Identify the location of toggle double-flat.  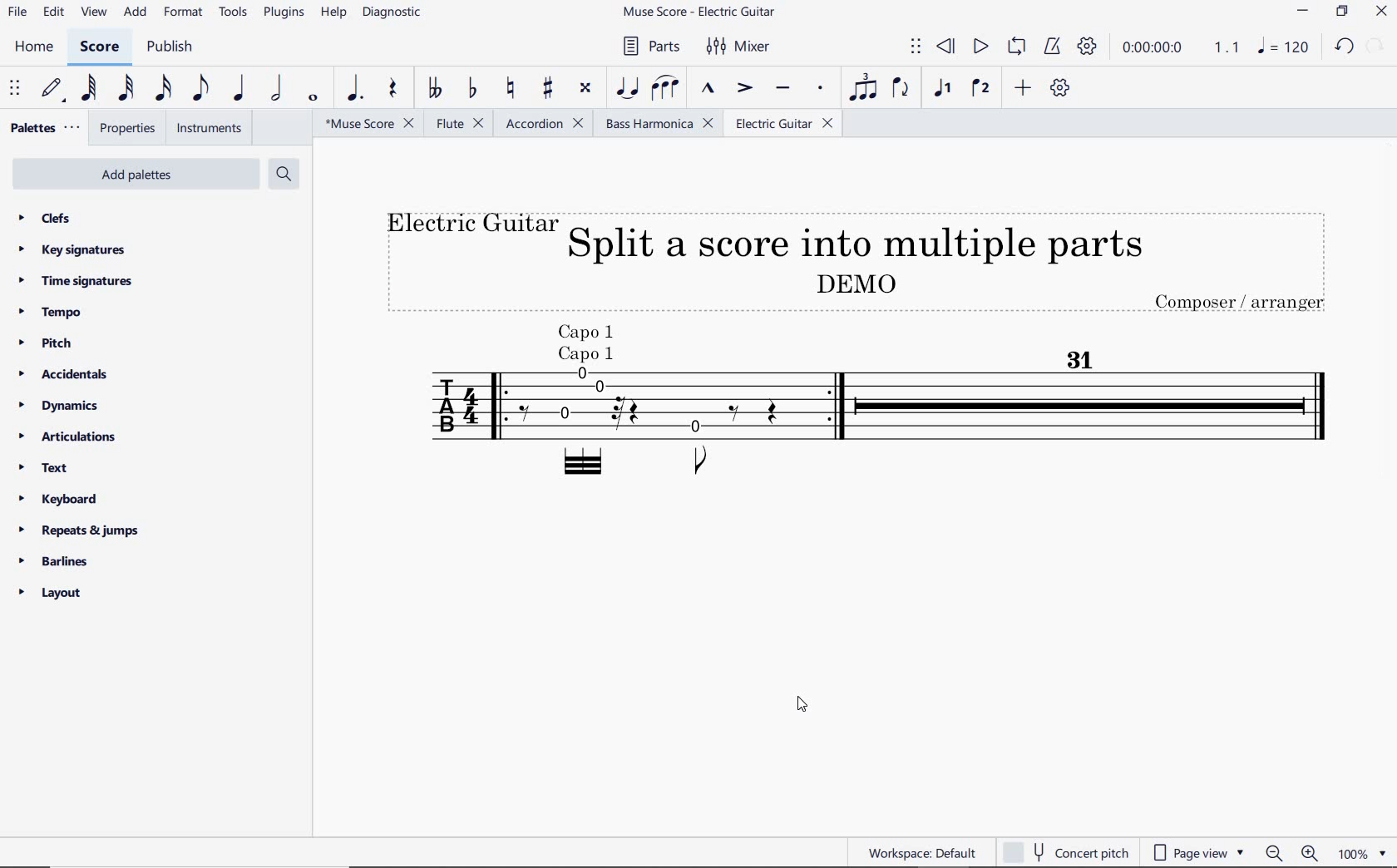
(434, 89).